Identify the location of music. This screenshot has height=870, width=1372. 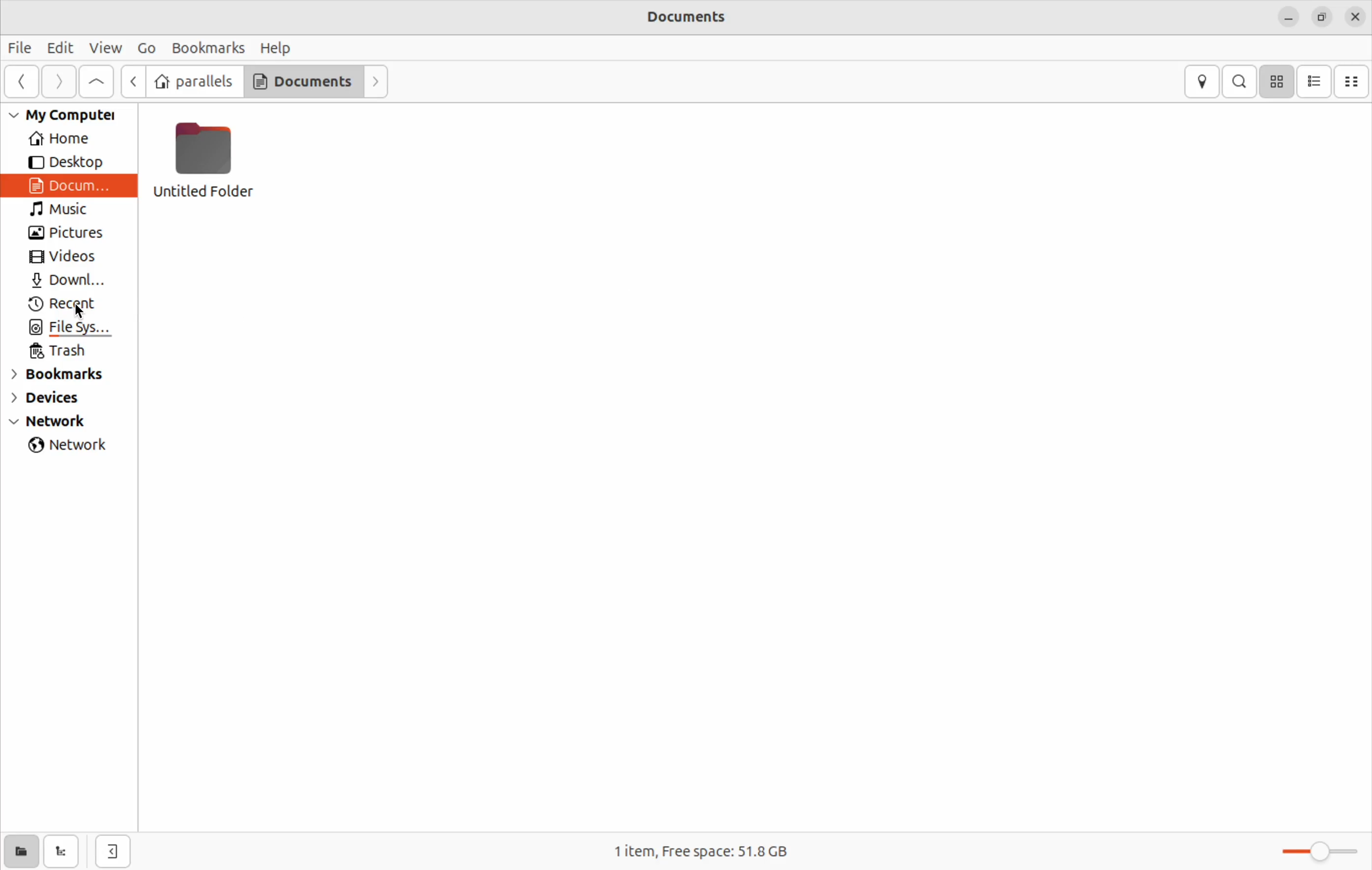
(73, 211).